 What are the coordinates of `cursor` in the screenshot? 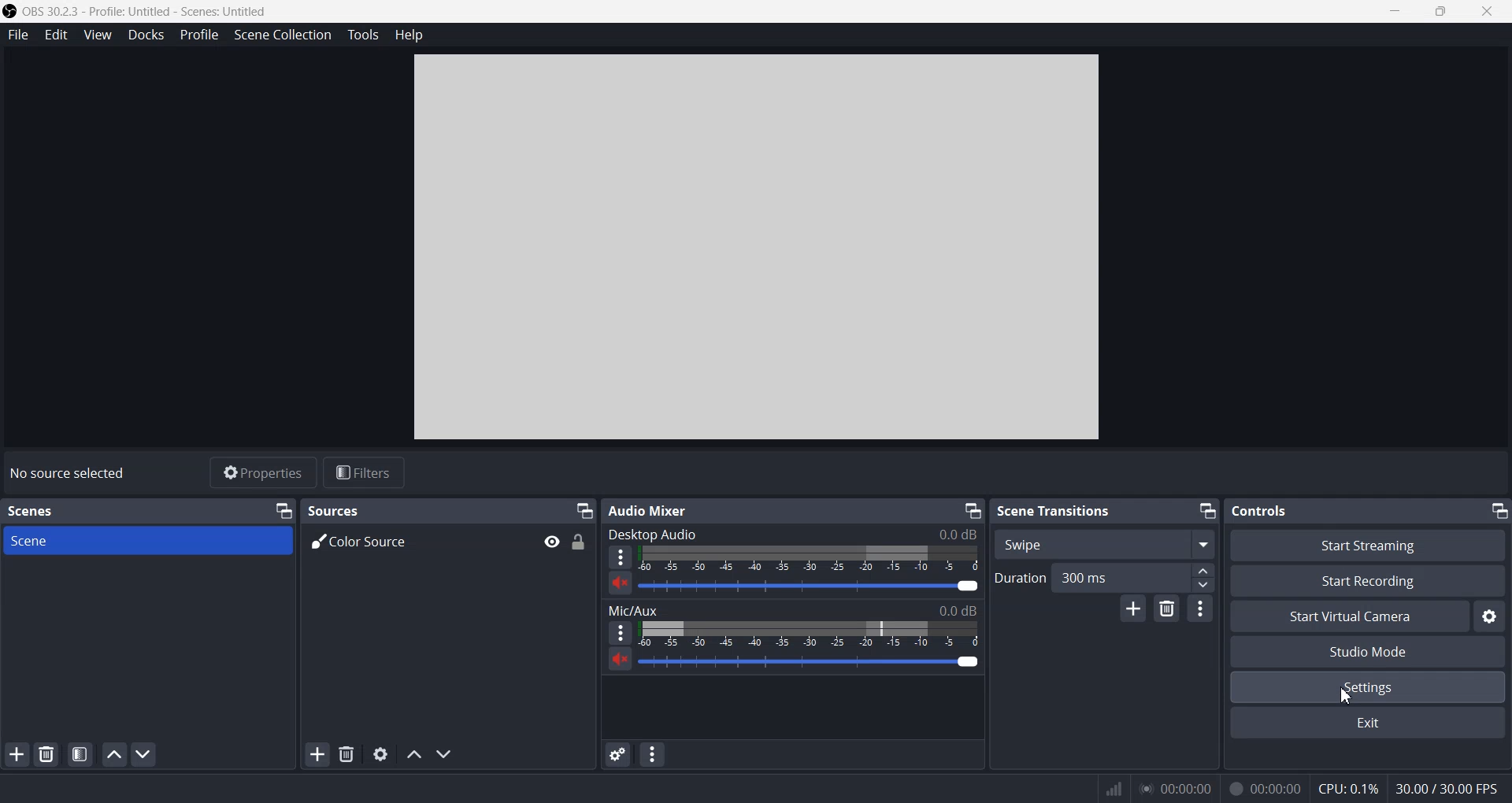 It's located at (1345, 698).